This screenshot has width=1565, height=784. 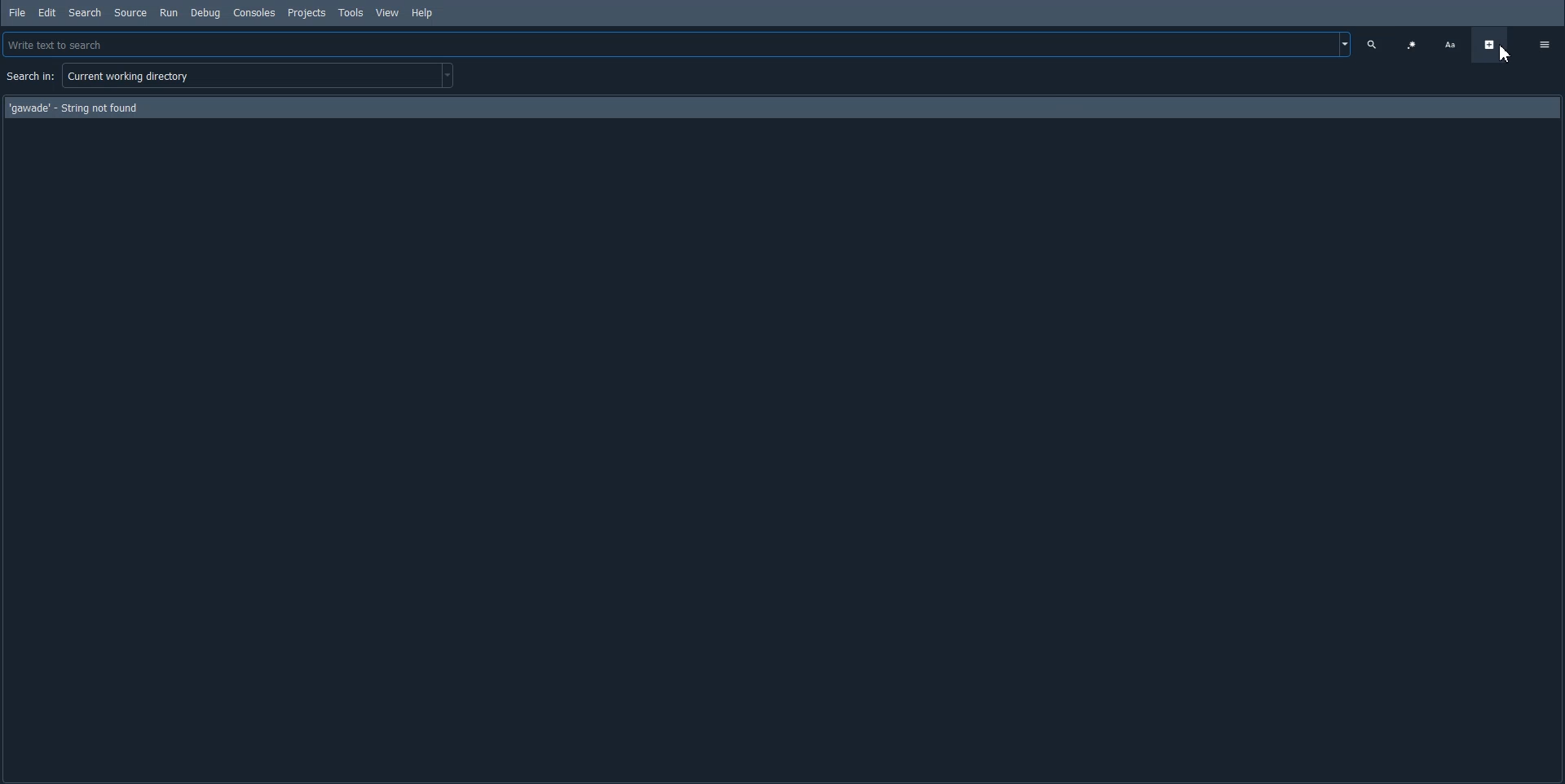 What do you see at coordinates (205, 12) in the screenshot?
I see `Debug` at bounding box center [205, 12].